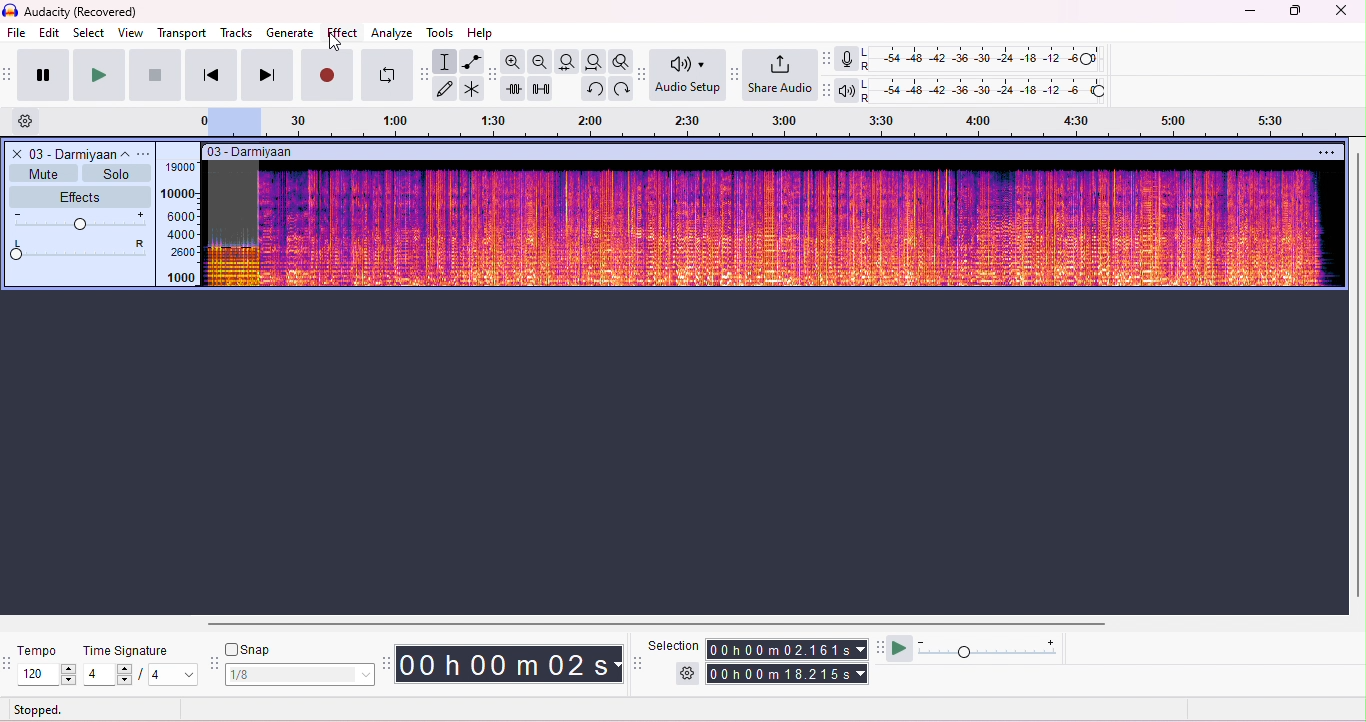  I want to click on transport, so click(182, 34).